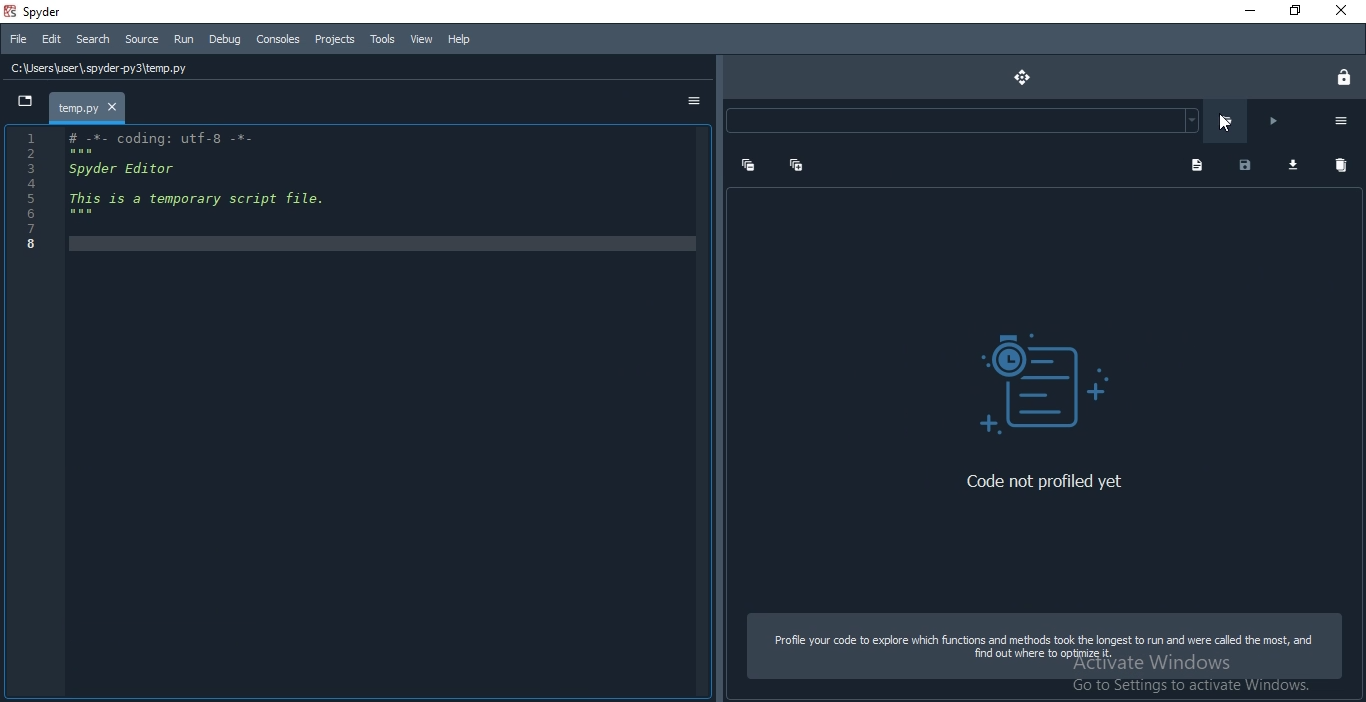 This screenshot has width=1366, height=702. What do you see at coordinates (277, 40) in the screenshot?
I see `Consoles` at bounding box center [277, 40].